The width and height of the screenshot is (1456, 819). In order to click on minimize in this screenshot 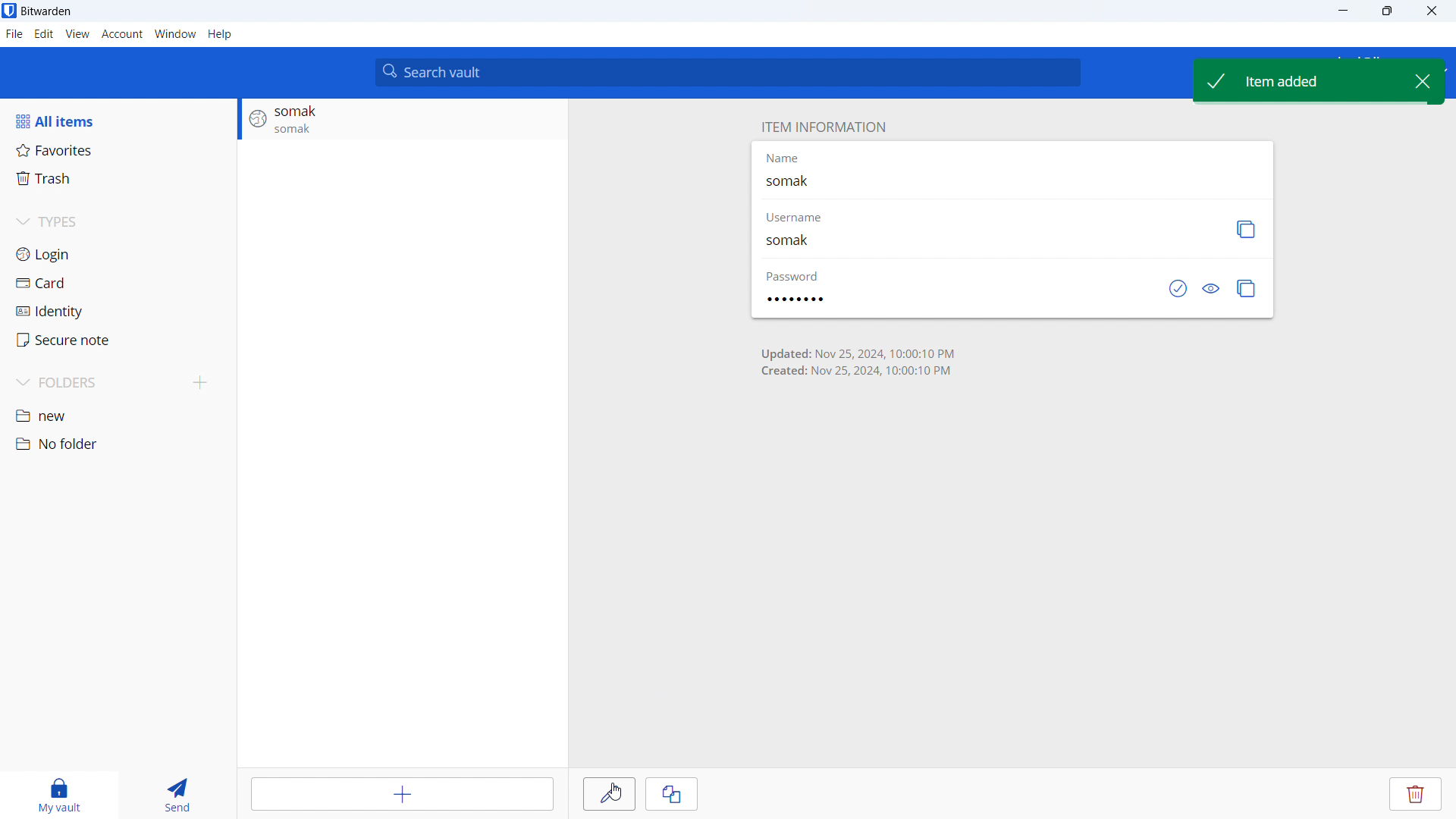, I will do `click(1341, 11)`.